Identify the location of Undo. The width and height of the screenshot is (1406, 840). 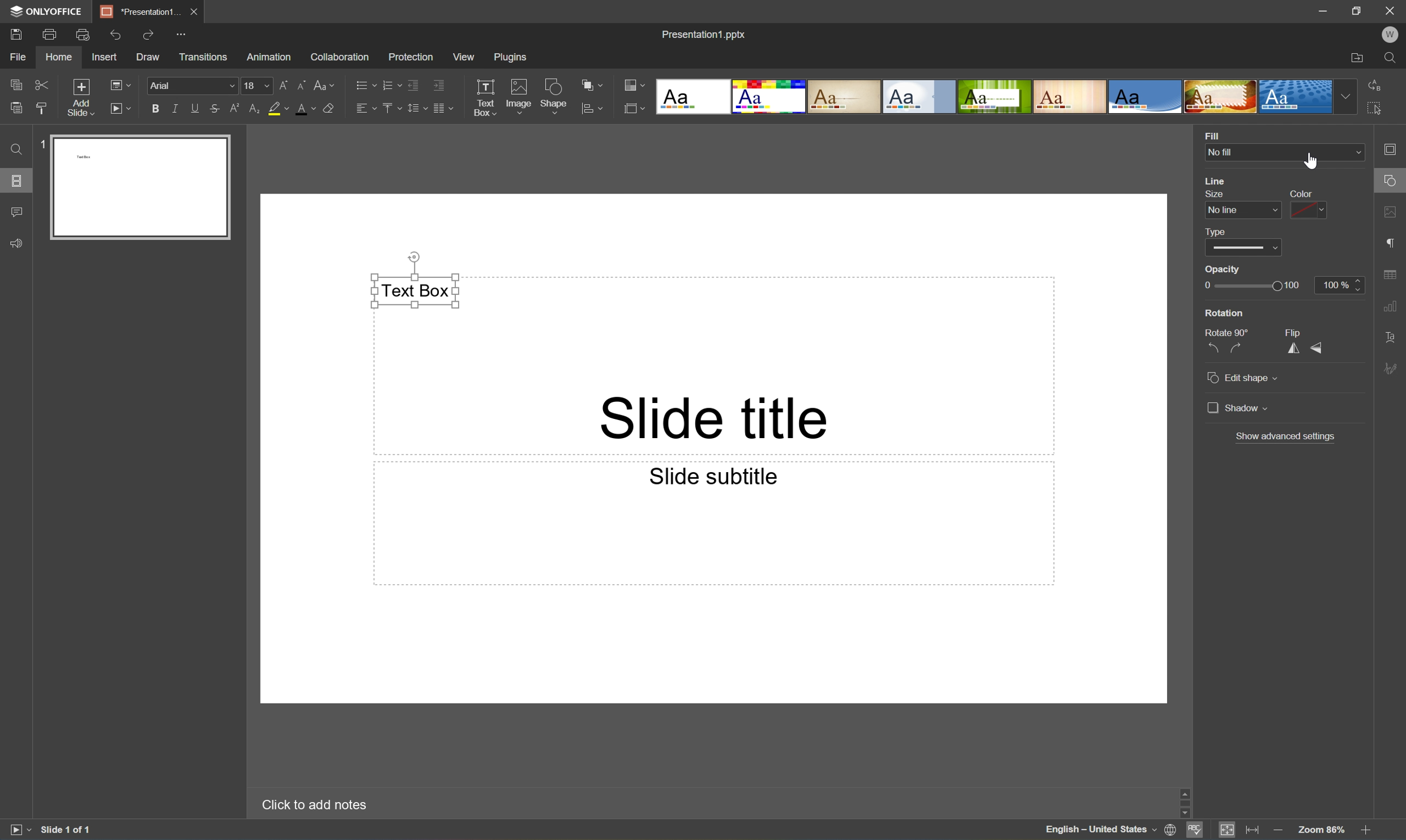
(118, 36).